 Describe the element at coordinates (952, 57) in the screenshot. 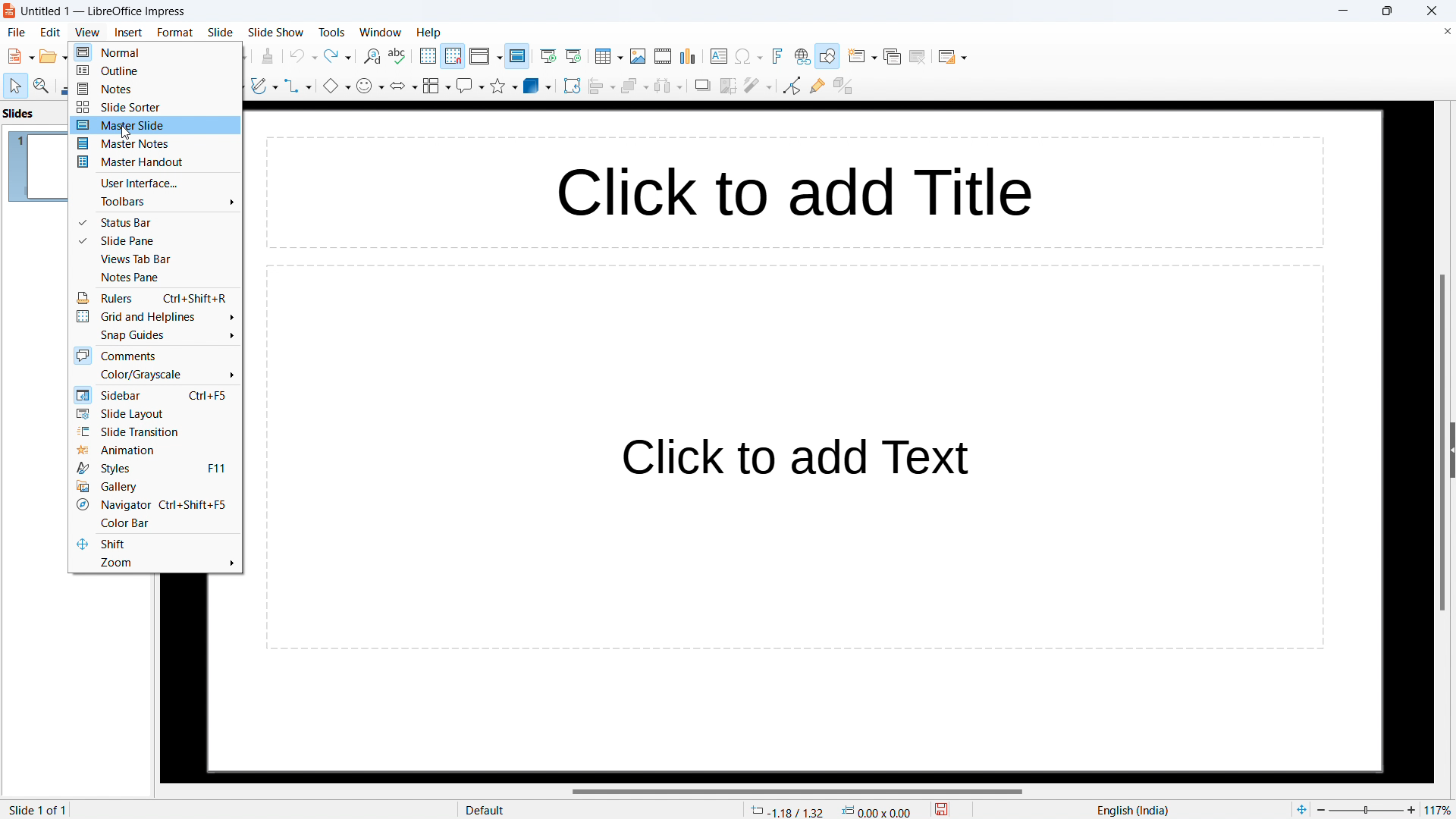

I see `slide layout` at that location.